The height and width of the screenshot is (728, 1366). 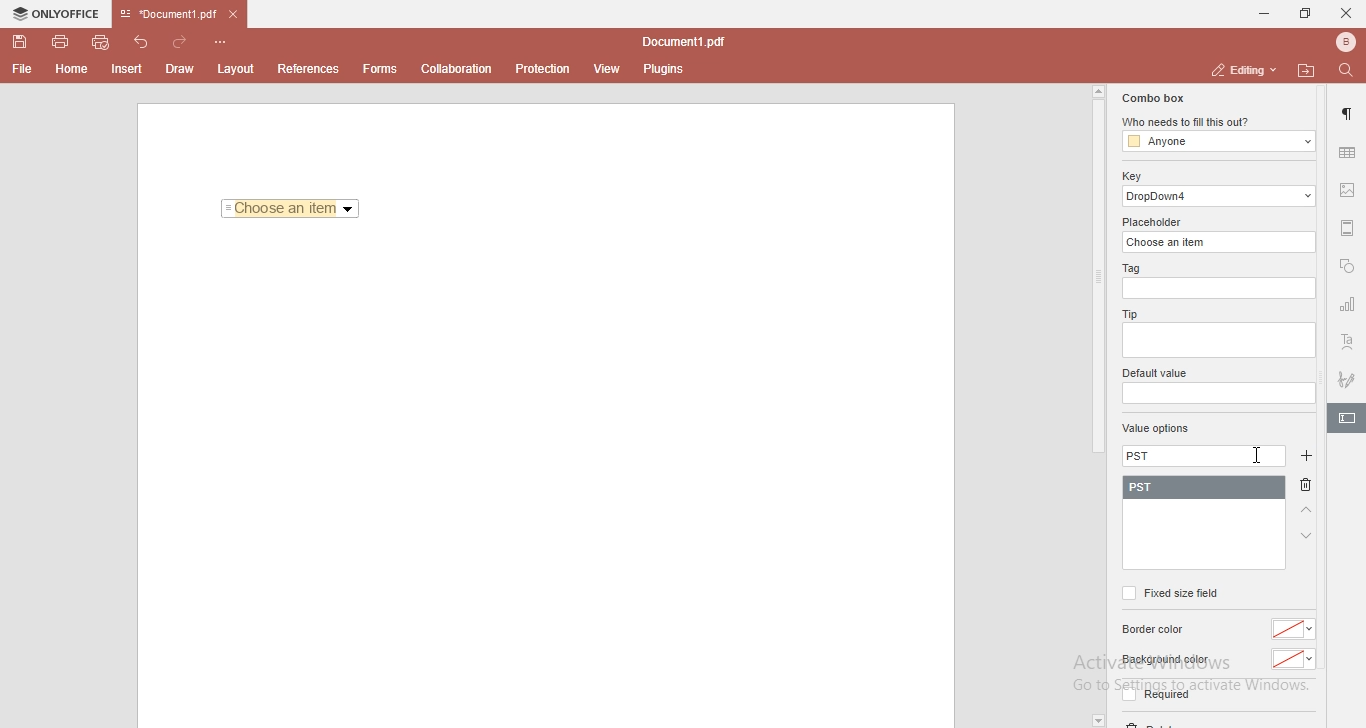 I want to click on tag, so click(x=1129, y=269).